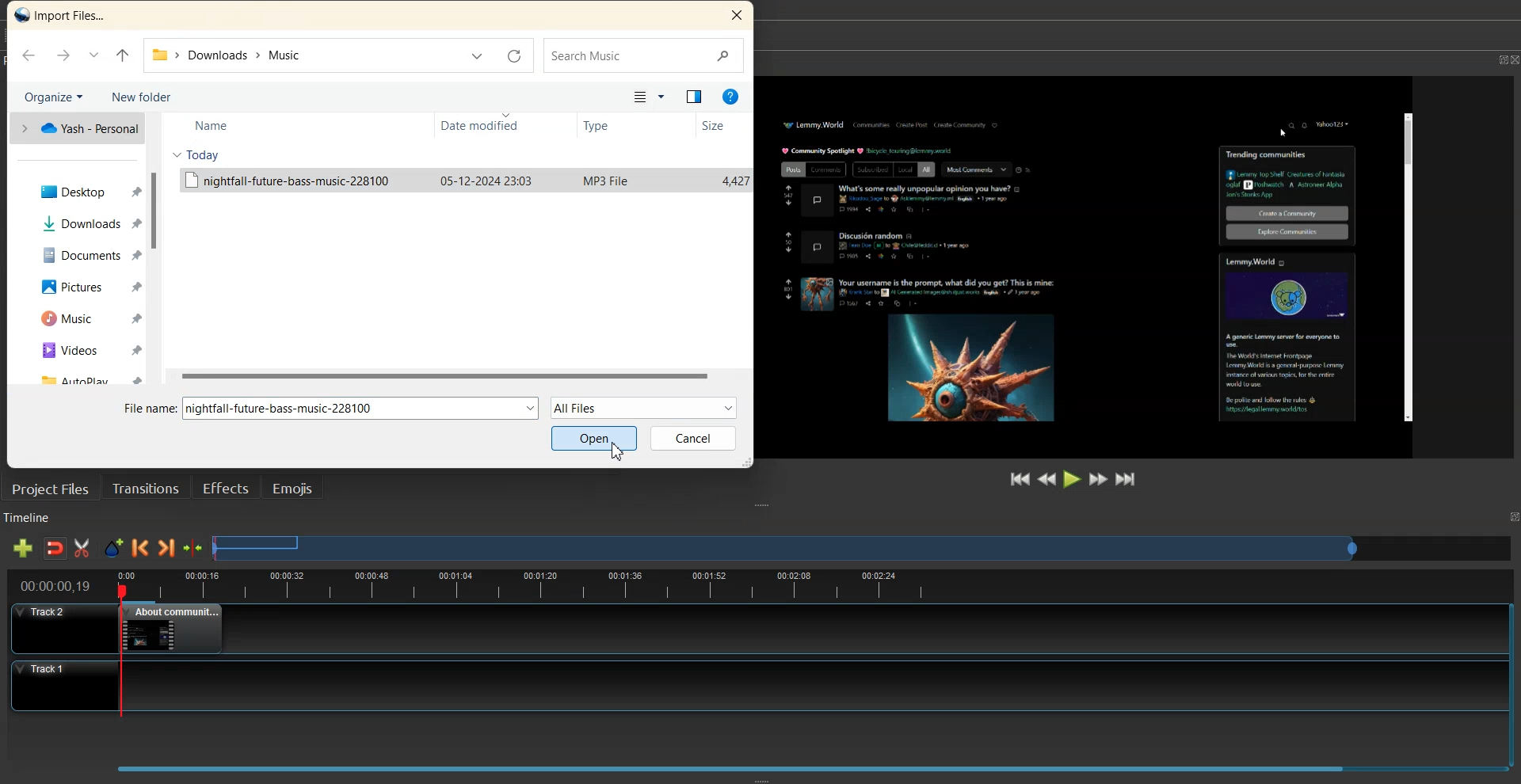 The image size is (1521, 784). What do you see at coordinates (29, 55) in the screenshot?
I see `Go Back` at bounding box center [29, 55].